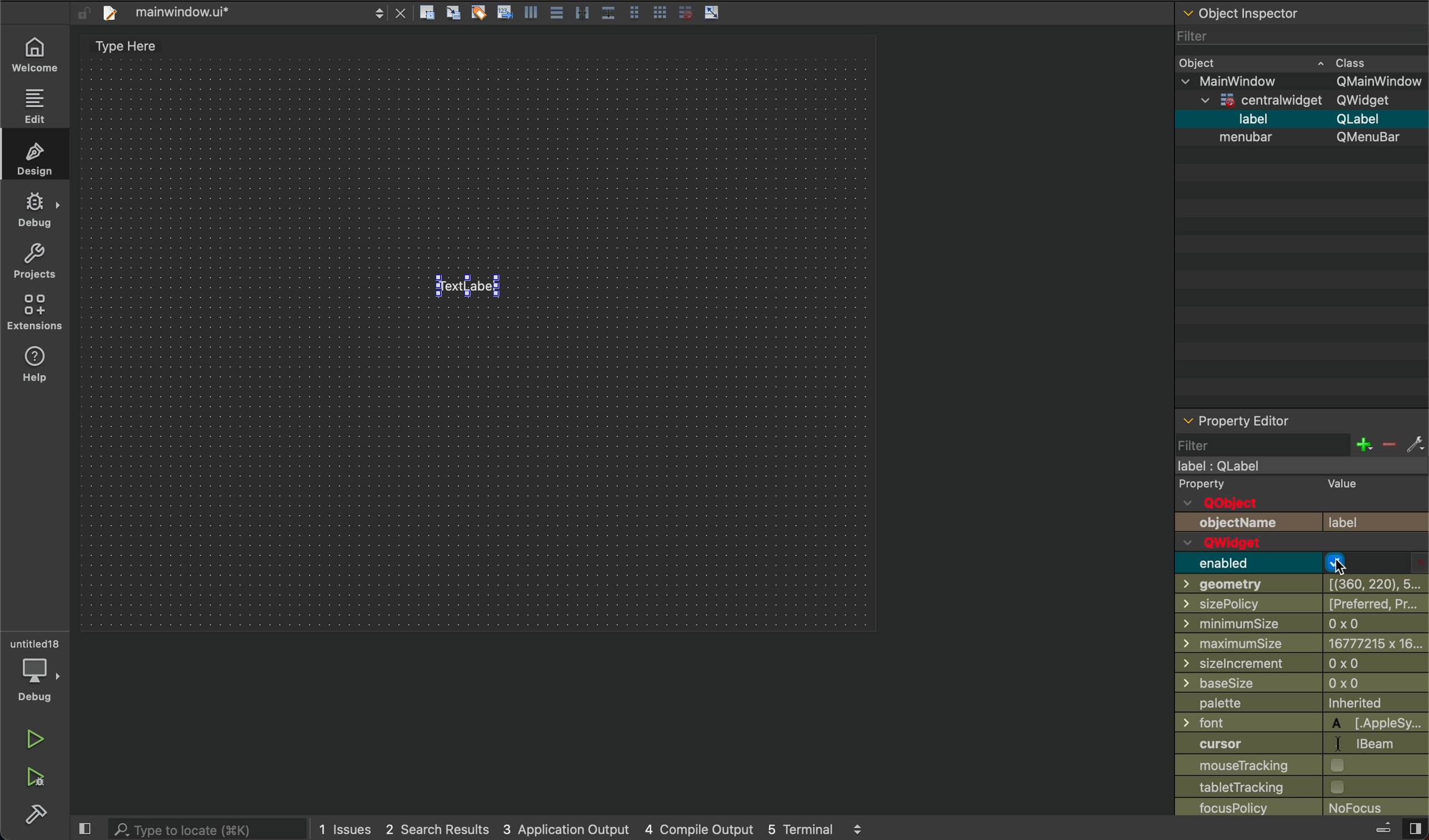 The width and height of the screenshot is (1429, 840). What do you see at coordinates (1338, 787) in the screenshot?
I see `checkbox` at bounding box center [1338, 787].